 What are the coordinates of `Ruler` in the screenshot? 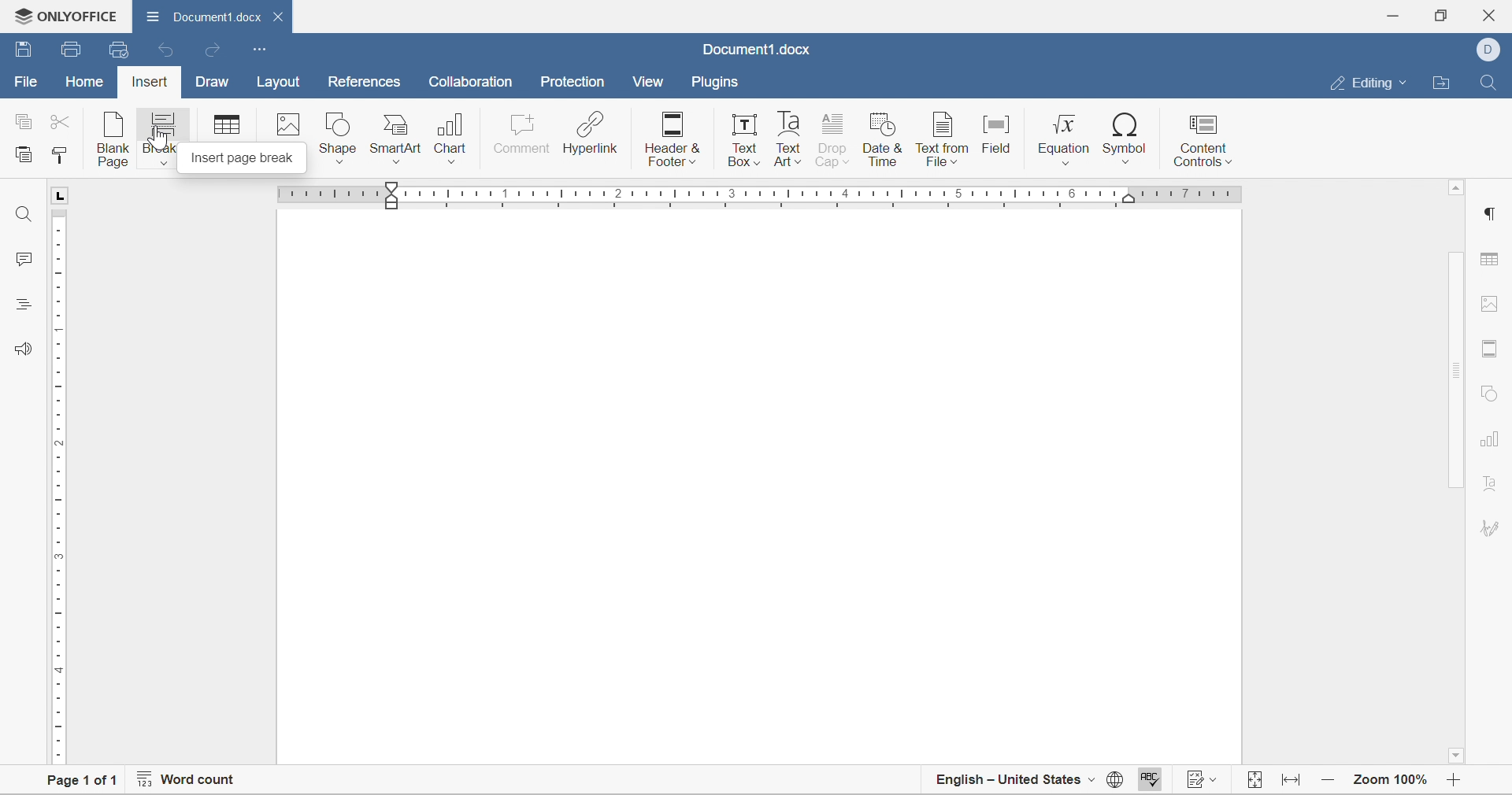 It's located at (57, 484).